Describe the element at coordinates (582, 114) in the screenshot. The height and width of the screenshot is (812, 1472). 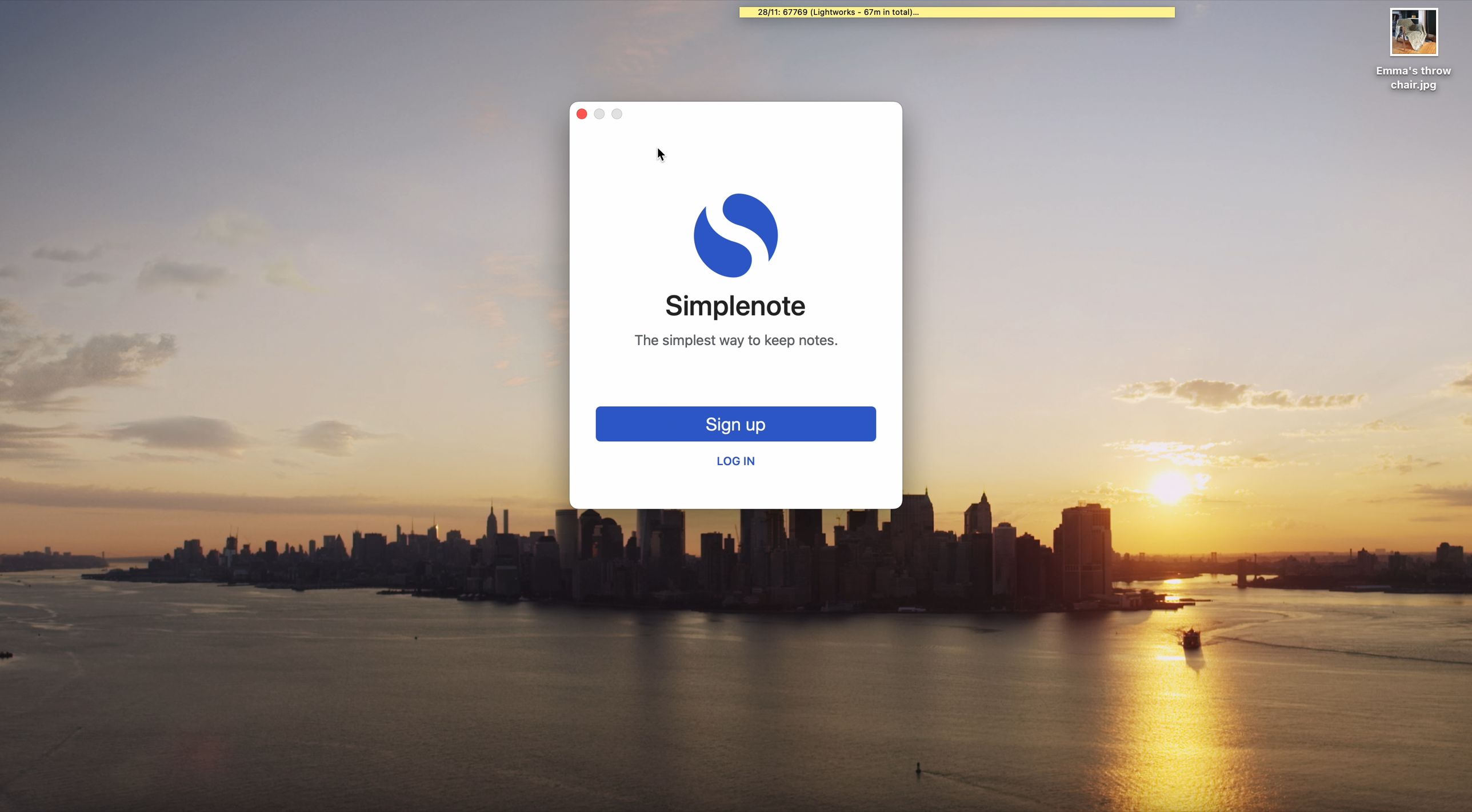
I see `close popup` at that location.